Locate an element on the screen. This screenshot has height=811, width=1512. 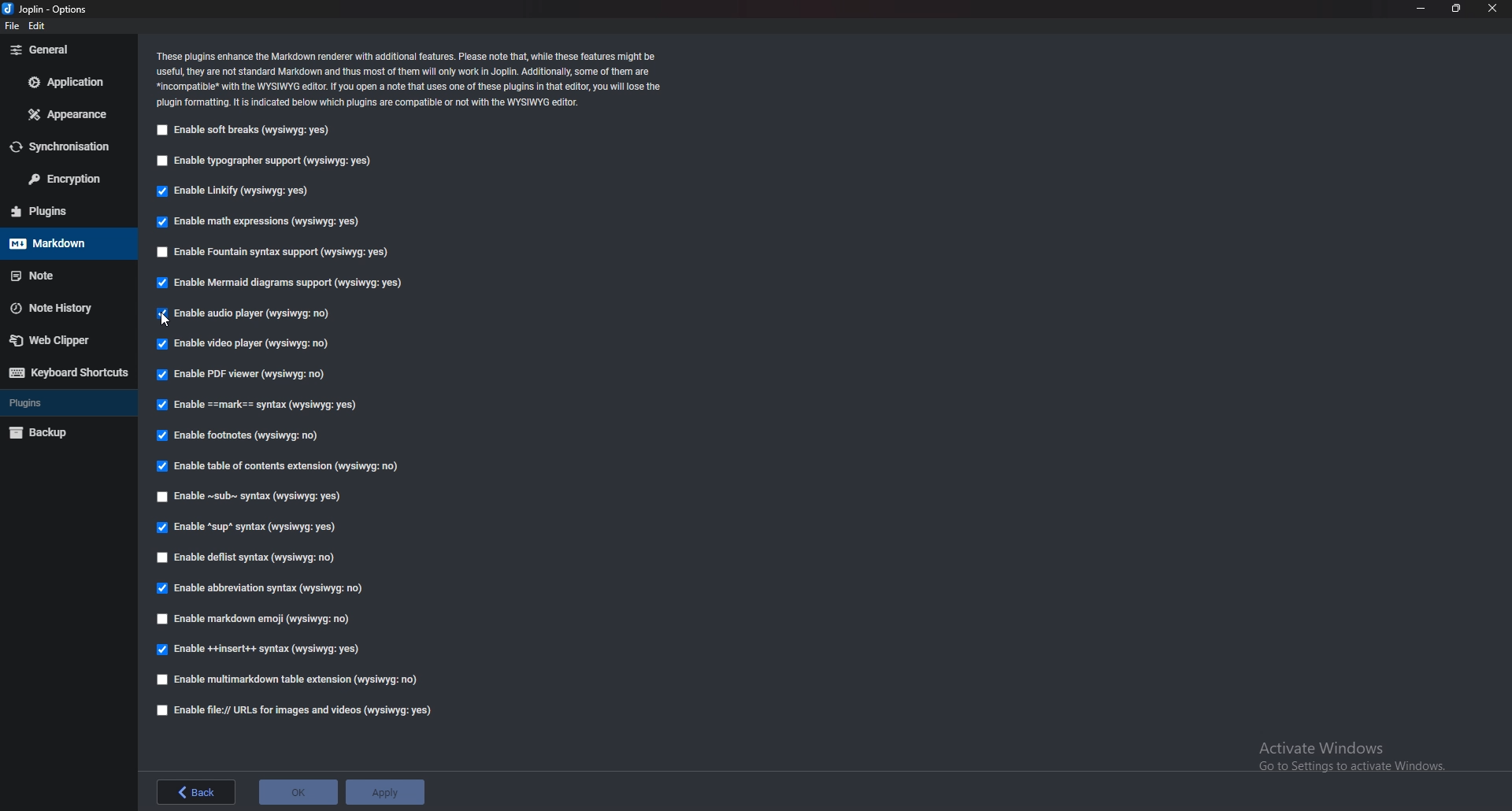
Plugins is located at coordinates (66, 401).